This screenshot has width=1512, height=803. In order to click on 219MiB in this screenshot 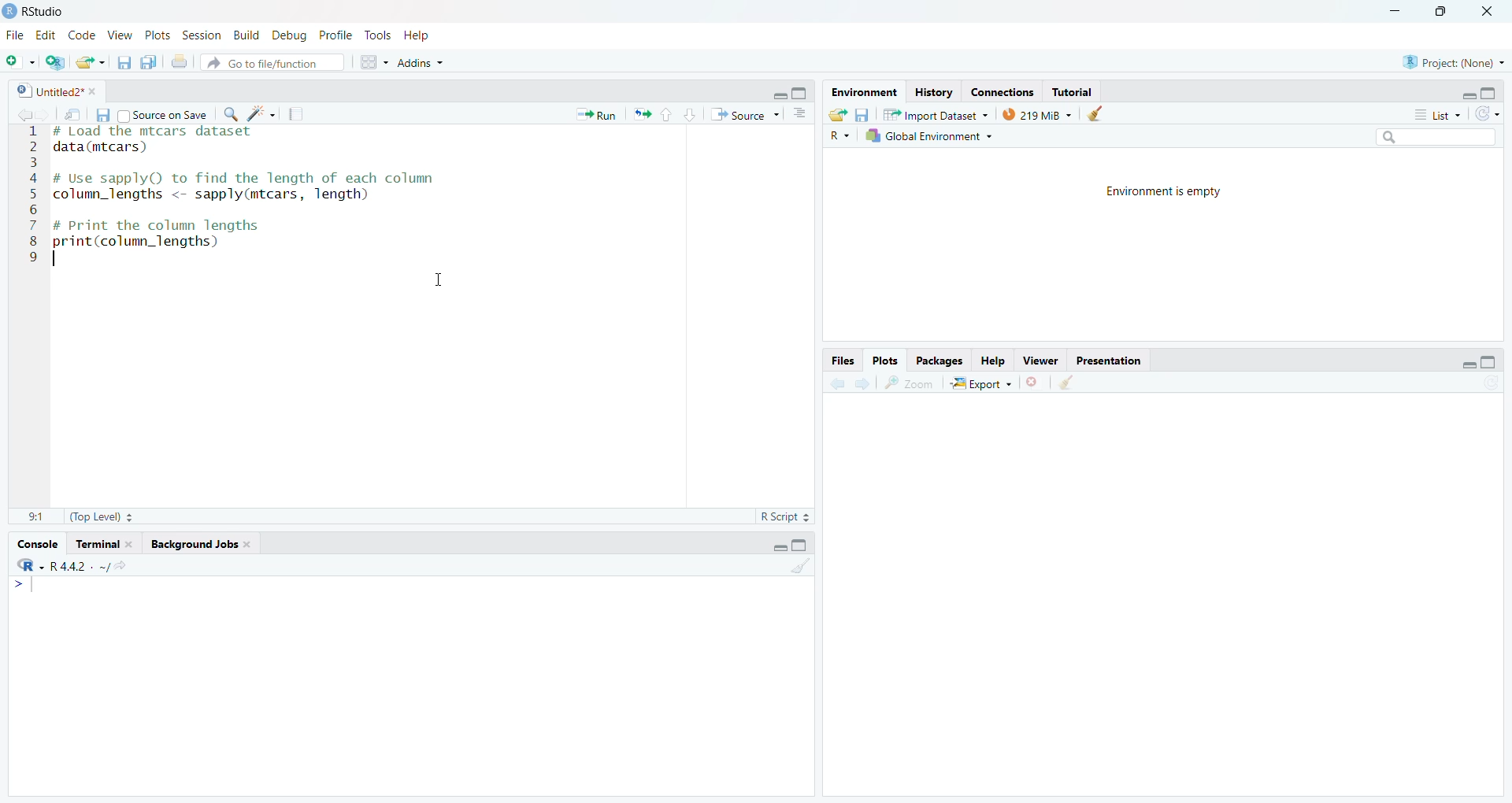, I will do `click(1037, 113)`.